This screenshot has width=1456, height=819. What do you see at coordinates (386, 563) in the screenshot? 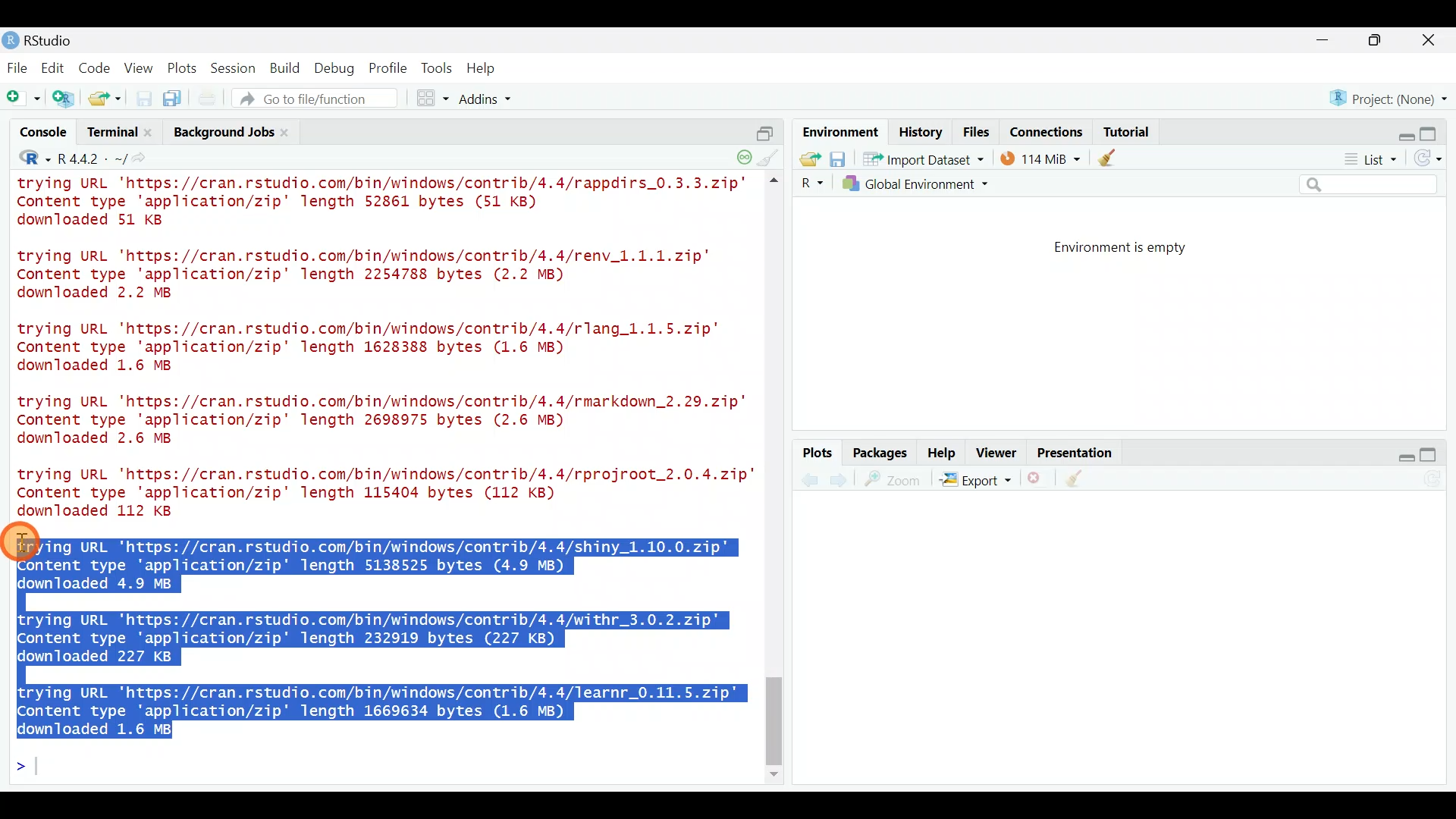
I see `trying URL 'https://cran.rstudio.com/bin/windows/contrib/4.4/shiny_1.10.0.zip"
Content type 'application/zip' length 5138525 bytes (4.9 MB)
downloaded 4.9 MB` at bounding box center [386, 563].